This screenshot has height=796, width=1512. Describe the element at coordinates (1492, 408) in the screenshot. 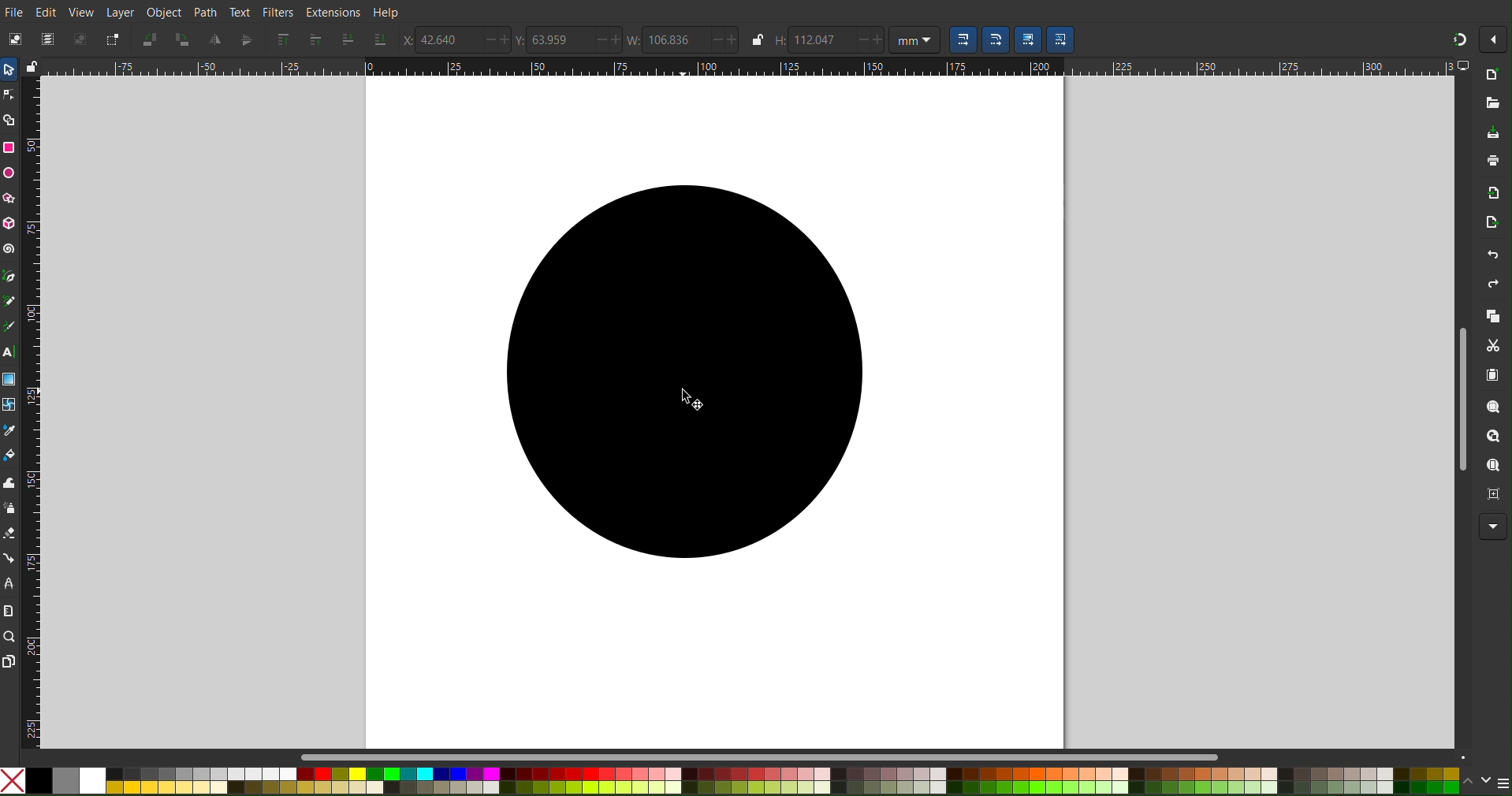

I see `Zoom Selection` at that location.